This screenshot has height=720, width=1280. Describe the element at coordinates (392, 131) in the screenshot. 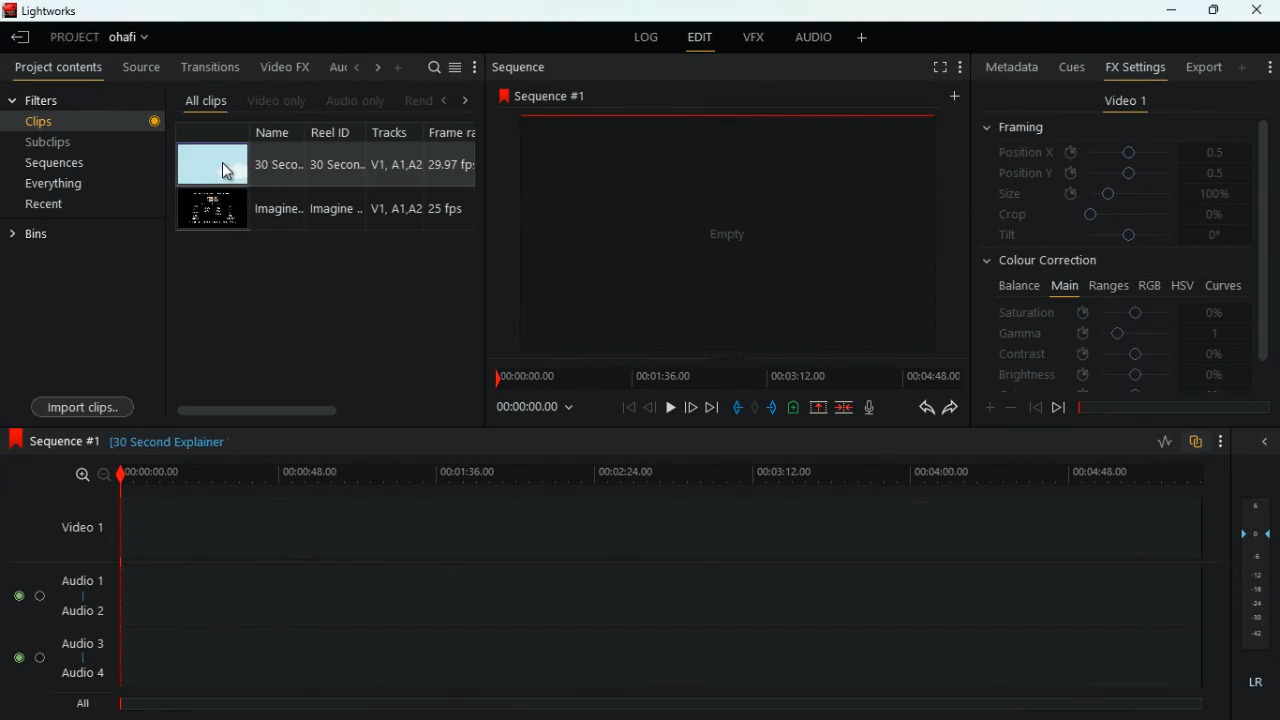

I see `tracks` at that location.